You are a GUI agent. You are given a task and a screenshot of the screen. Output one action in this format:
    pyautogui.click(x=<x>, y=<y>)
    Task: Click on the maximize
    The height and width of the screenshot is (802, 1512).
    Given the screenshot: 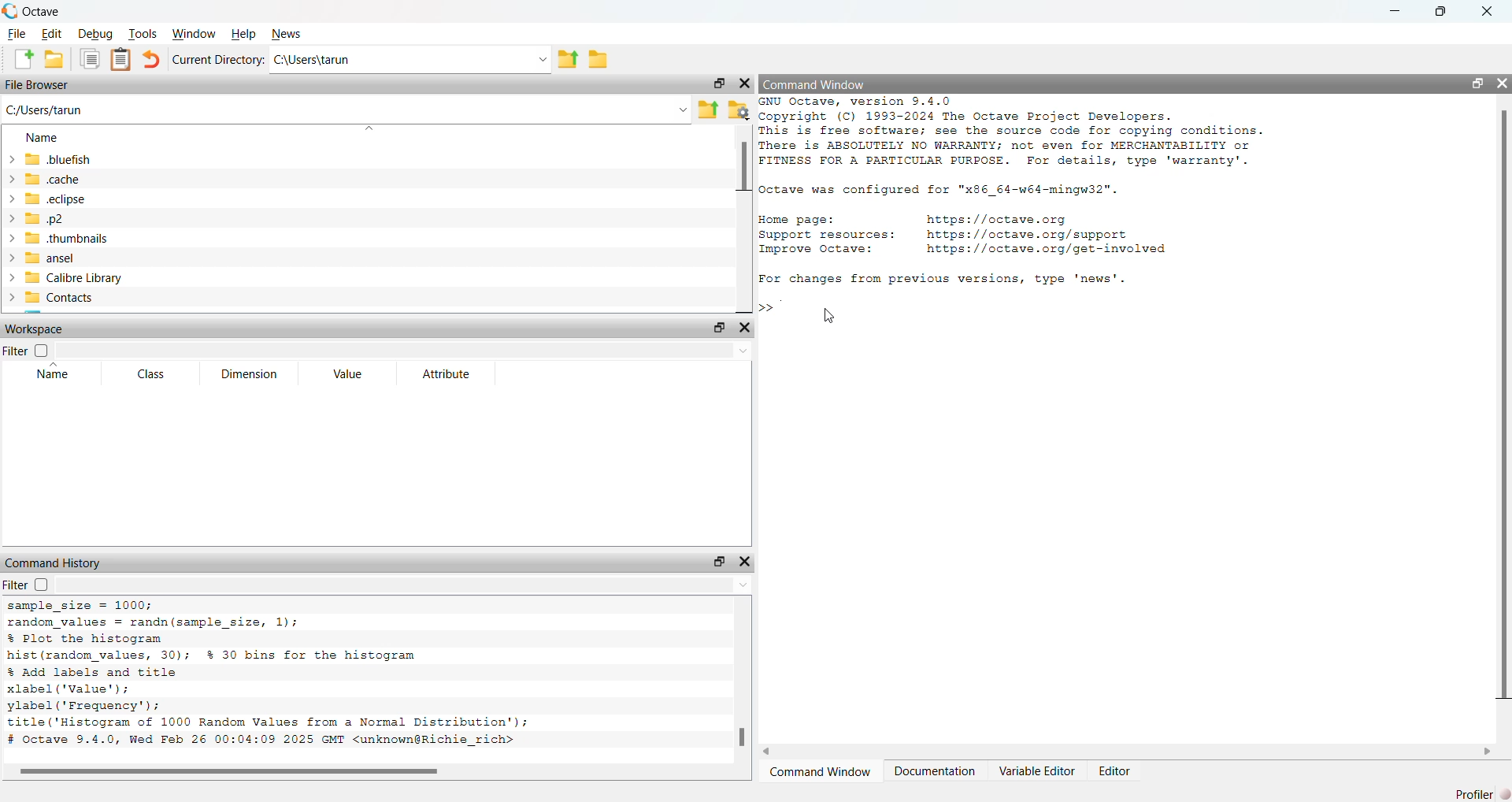 What is the action you would take?
    pyautogui.click(x=1477, y=83)
    